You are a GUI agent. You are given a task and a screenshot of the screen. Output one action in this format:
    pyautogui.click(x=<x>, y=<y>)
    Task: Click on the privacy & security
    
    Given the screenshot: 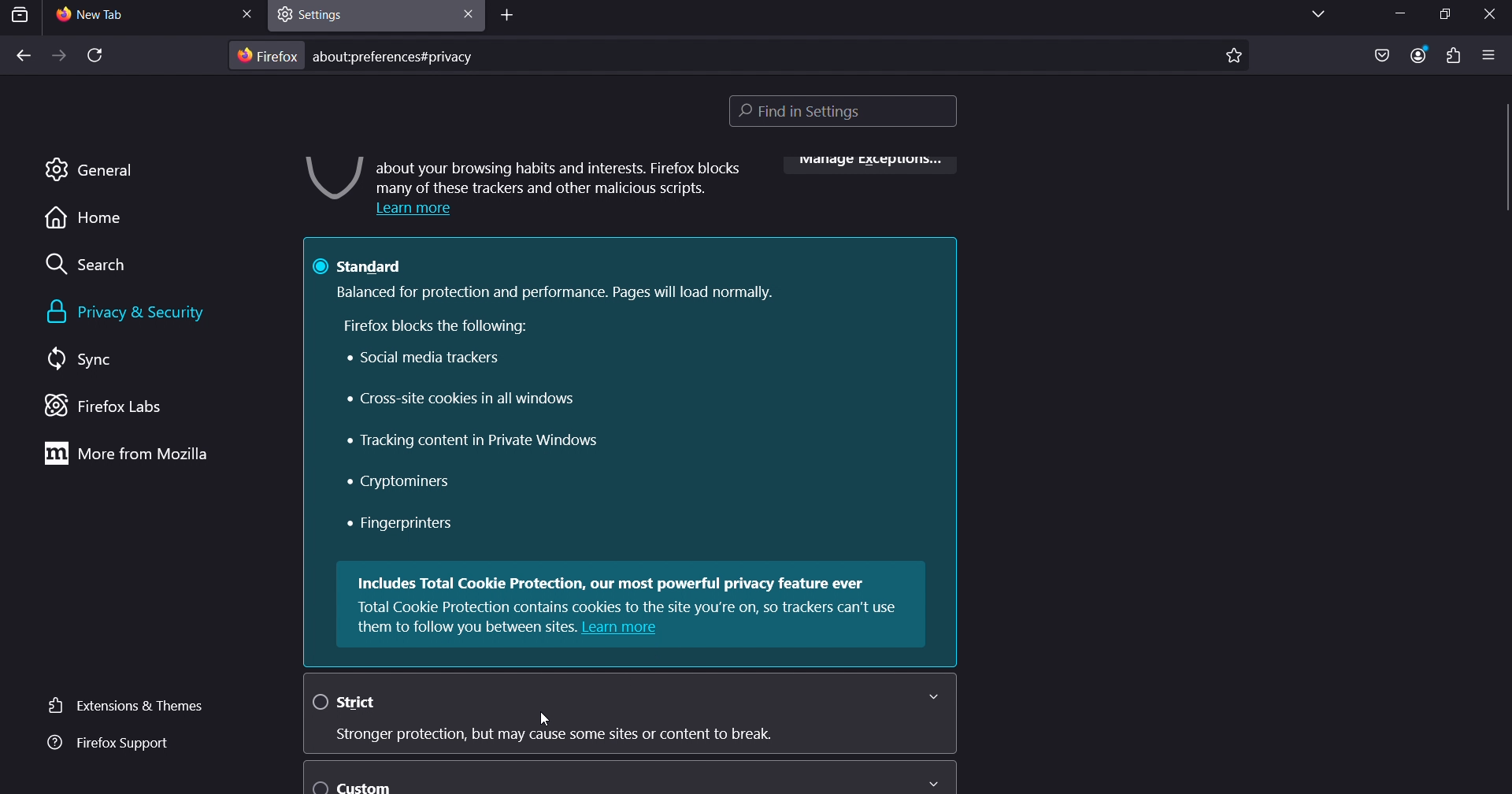 What is the action you would take?
    pyautogui.click(x=143, y=313)
    